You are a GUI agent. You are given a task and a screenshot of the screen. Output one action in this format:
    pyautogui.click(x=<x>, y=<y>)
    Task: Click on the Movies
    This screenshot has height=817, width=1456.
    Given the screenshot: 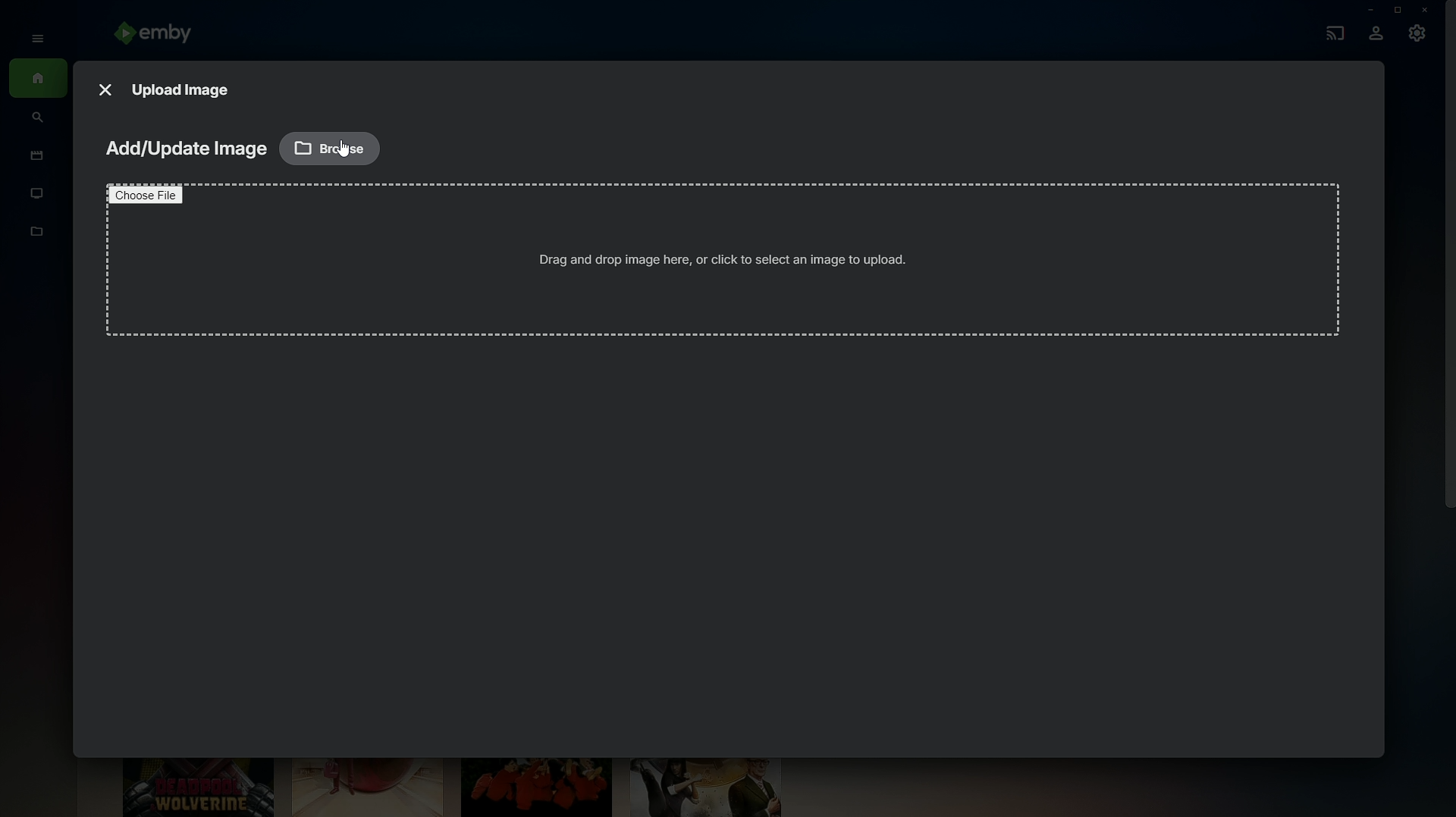 What is the action you would take?
    pyautogui.click(x=33, y=157)
    